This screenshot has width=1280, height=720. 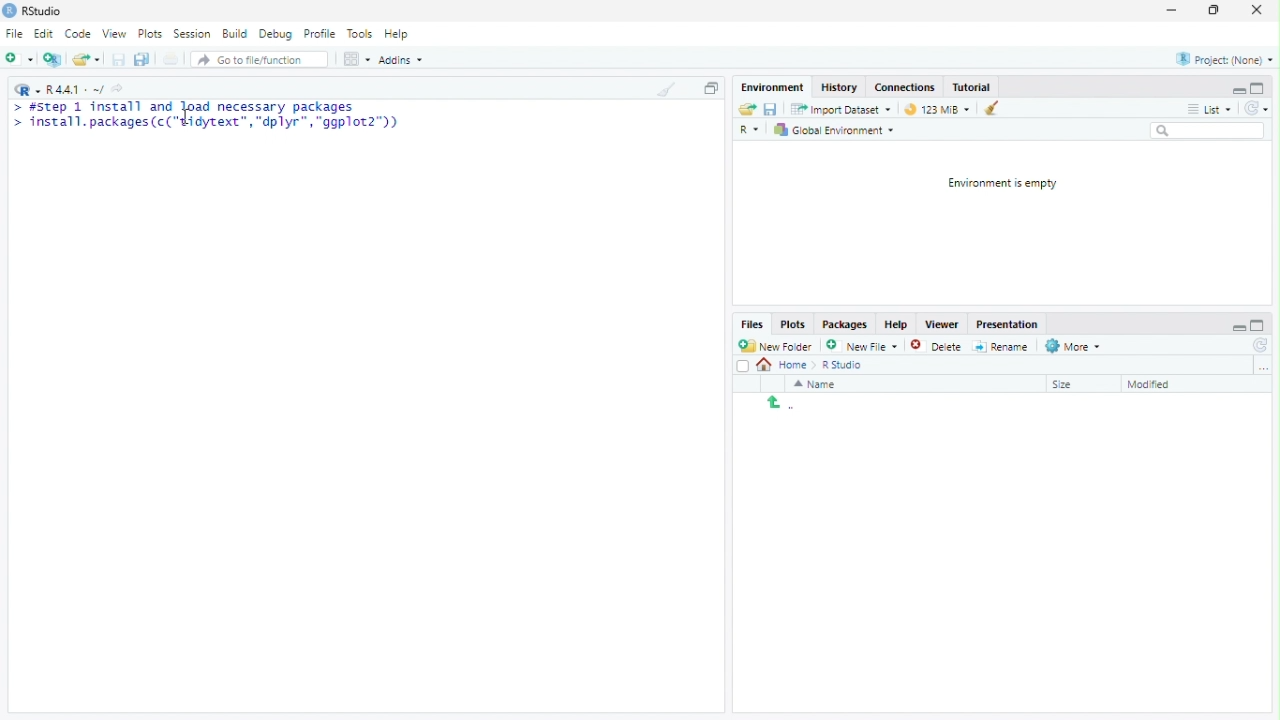 What do you see at coordinates (1001, 347) in the screenshot?
I see `Rename` at bounding box center [1001, 347].